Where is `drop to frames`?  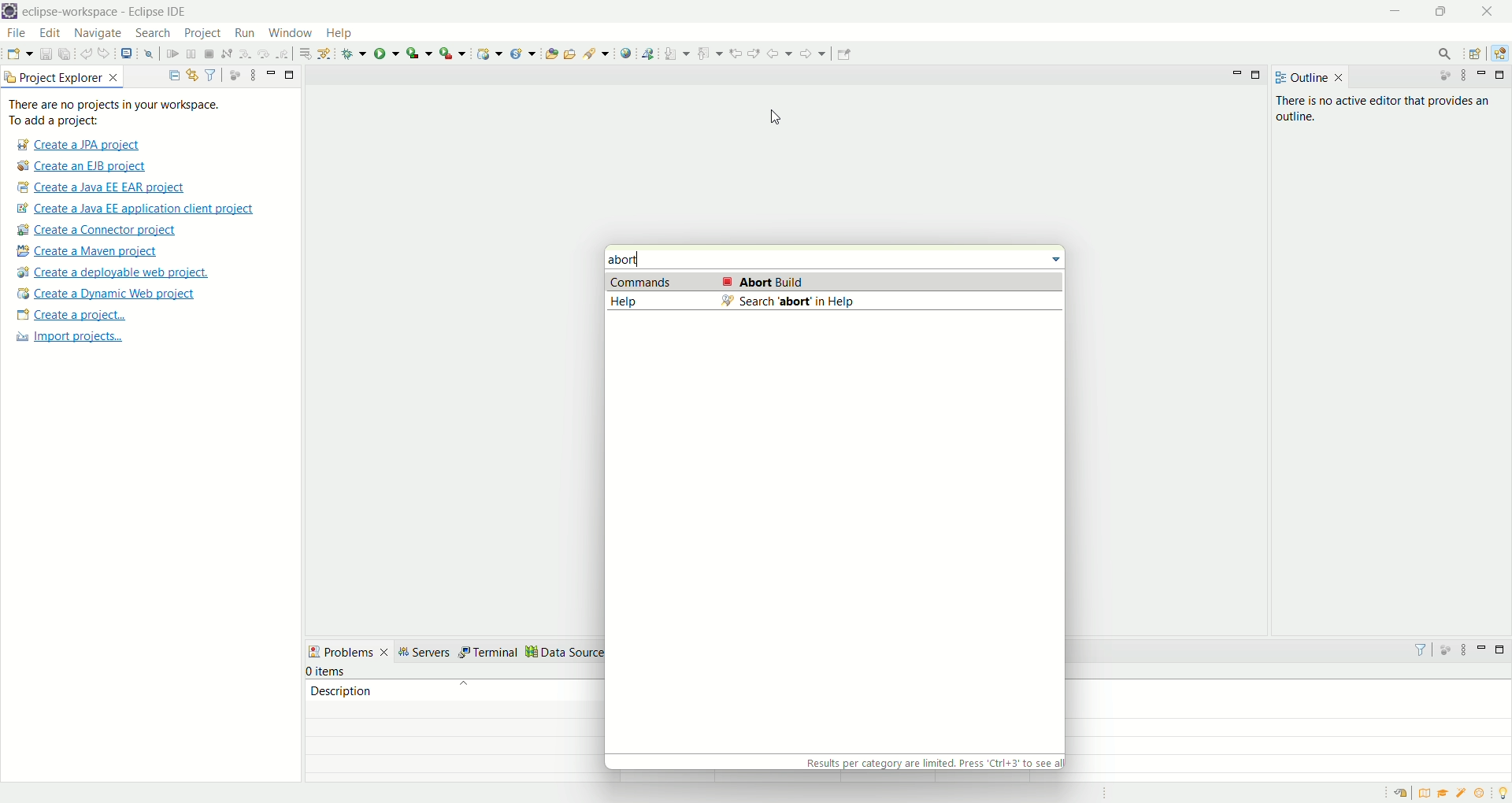
drop to frames is located at coordinates (302, 53).